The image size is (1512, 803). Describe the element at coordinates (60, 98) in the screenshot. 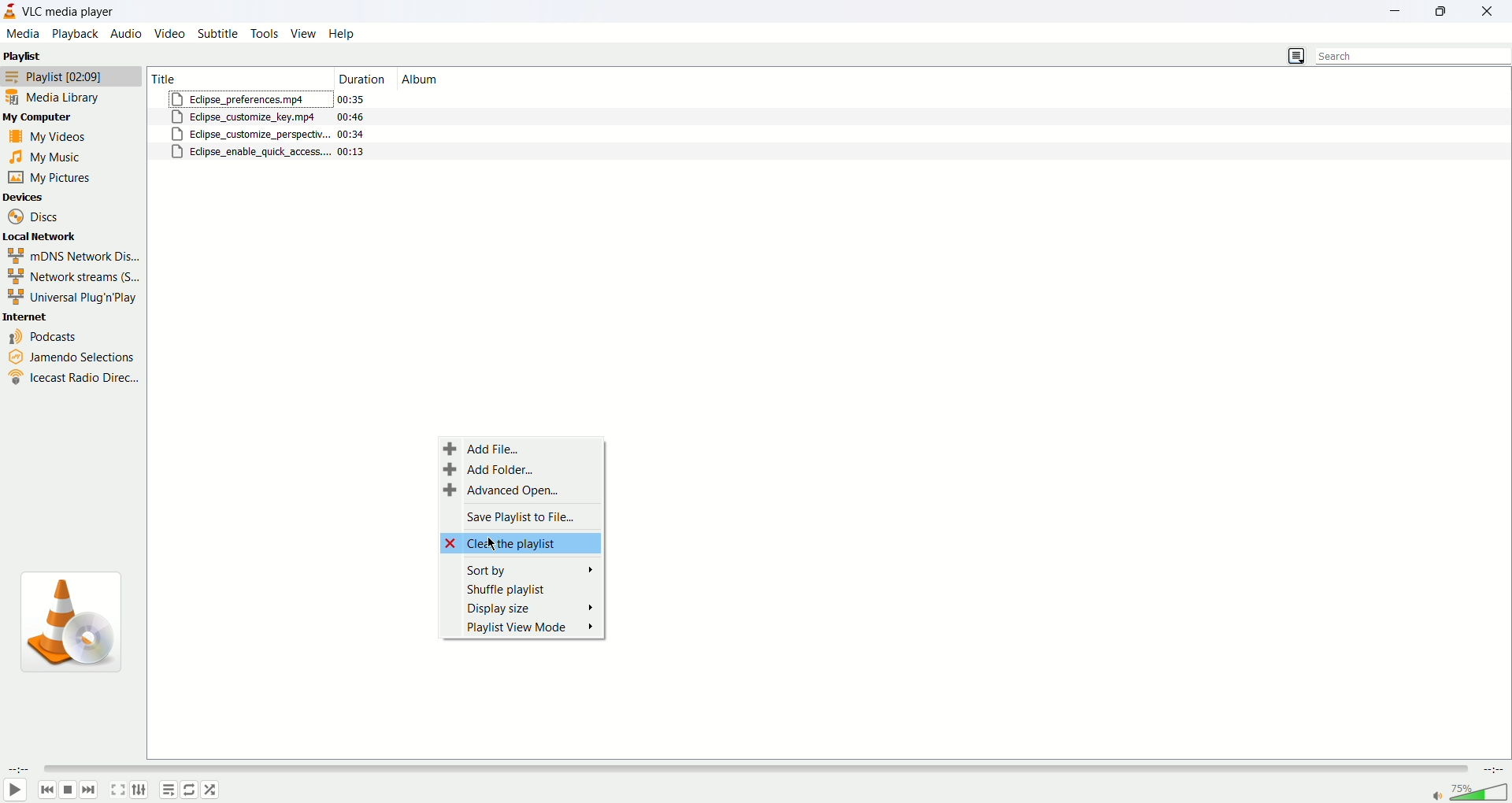

I see `media library` at that location.